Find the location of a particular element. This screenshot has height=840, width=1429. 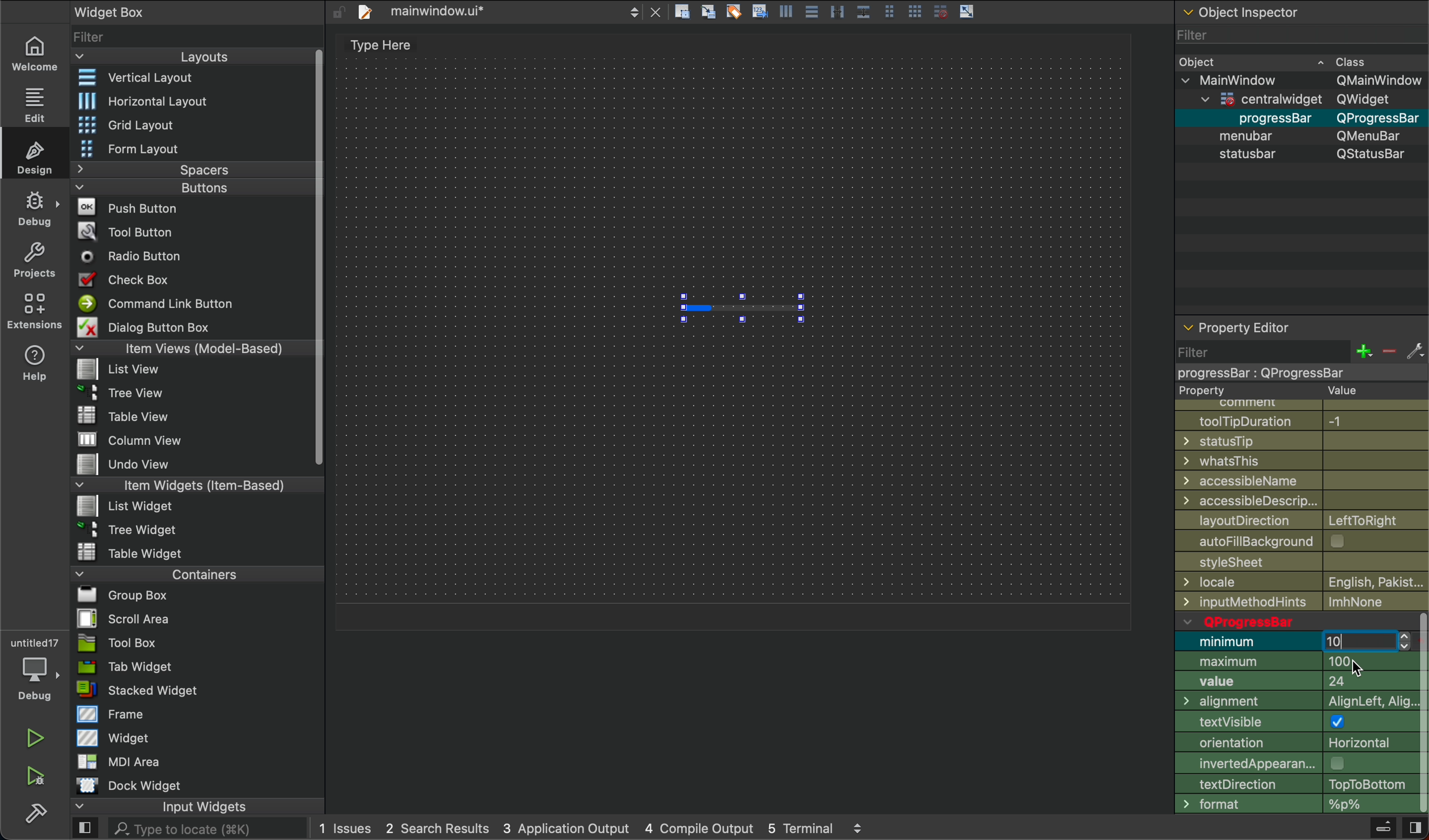

vertical layout is located at coordinates (188, 79).